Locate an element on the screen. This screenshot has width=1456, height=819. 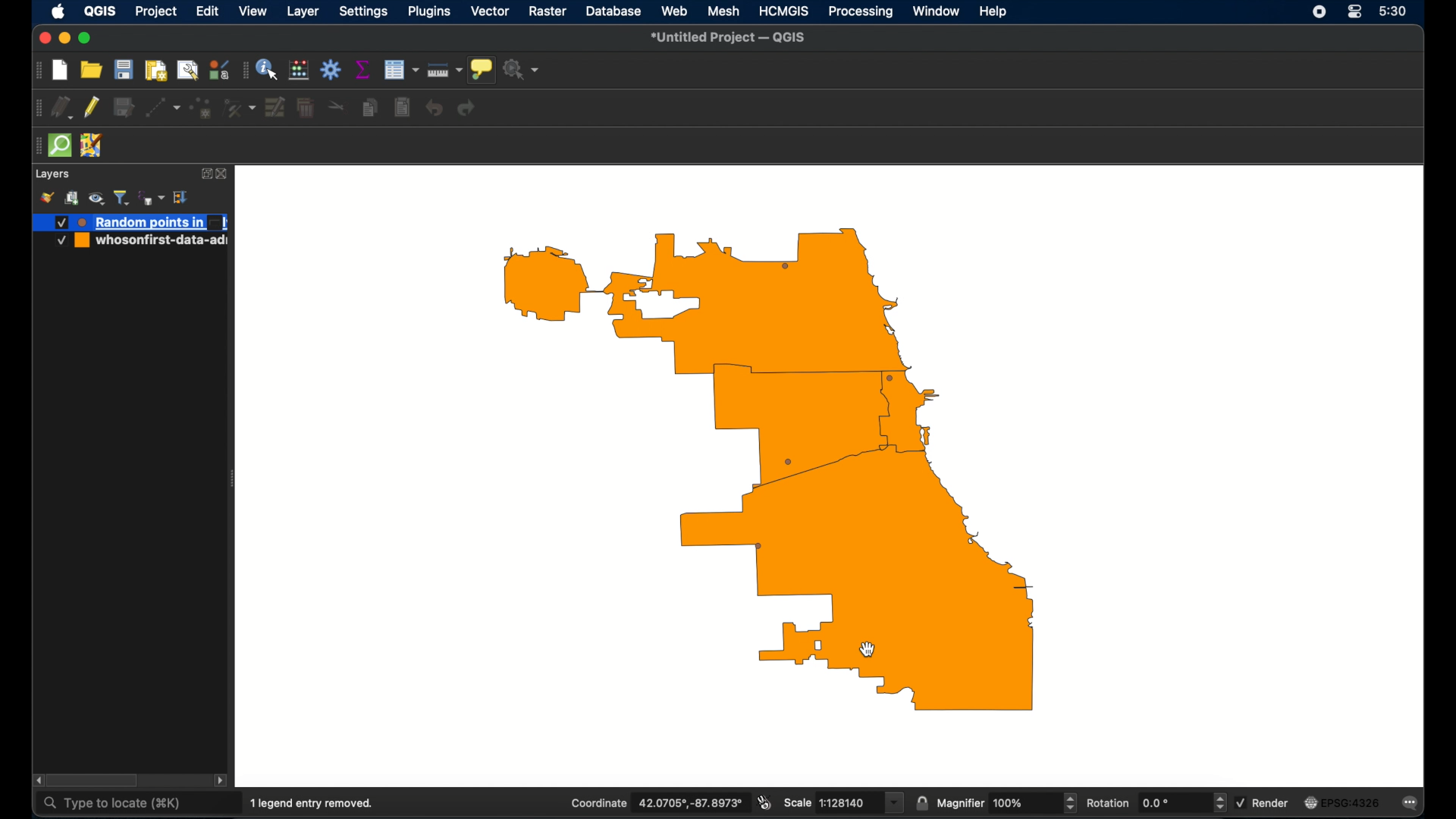
expand is located at coordinates (205, 174).